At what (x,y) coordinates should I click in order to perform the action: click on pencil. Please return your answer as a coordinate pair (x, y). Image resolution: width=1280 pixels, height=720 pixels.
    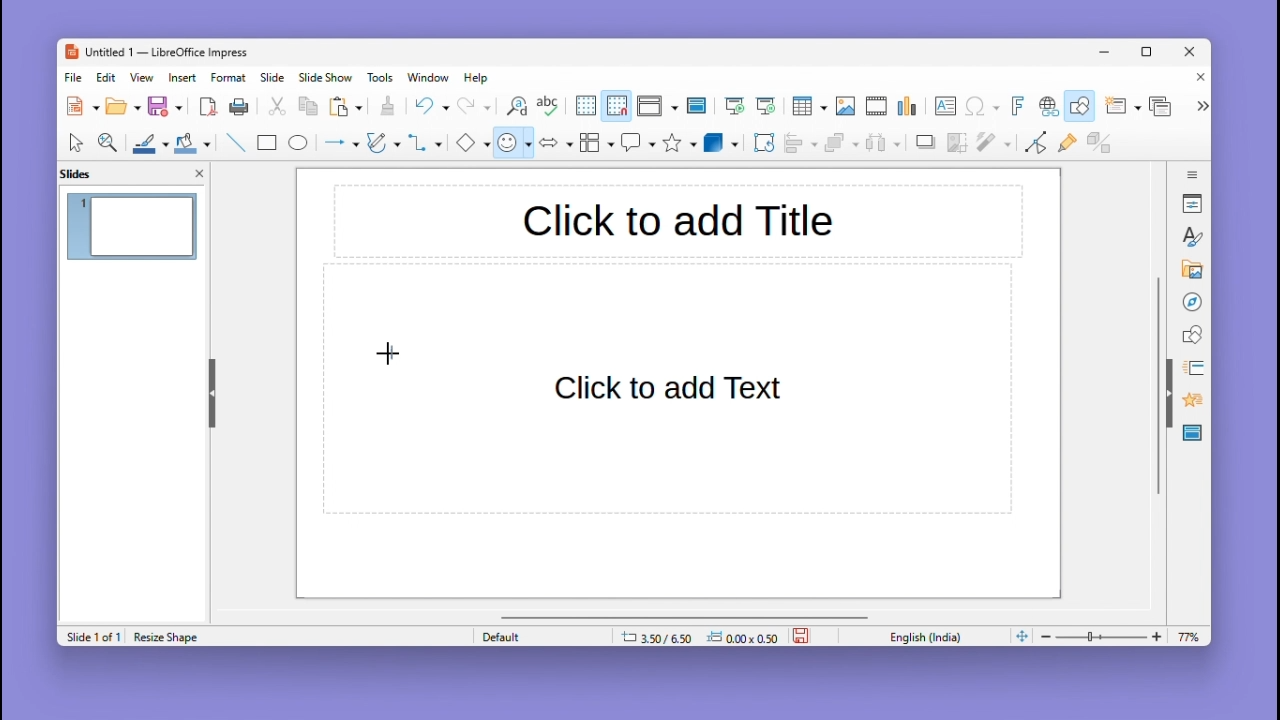
    Looking at the image, I should click on (383, 145).